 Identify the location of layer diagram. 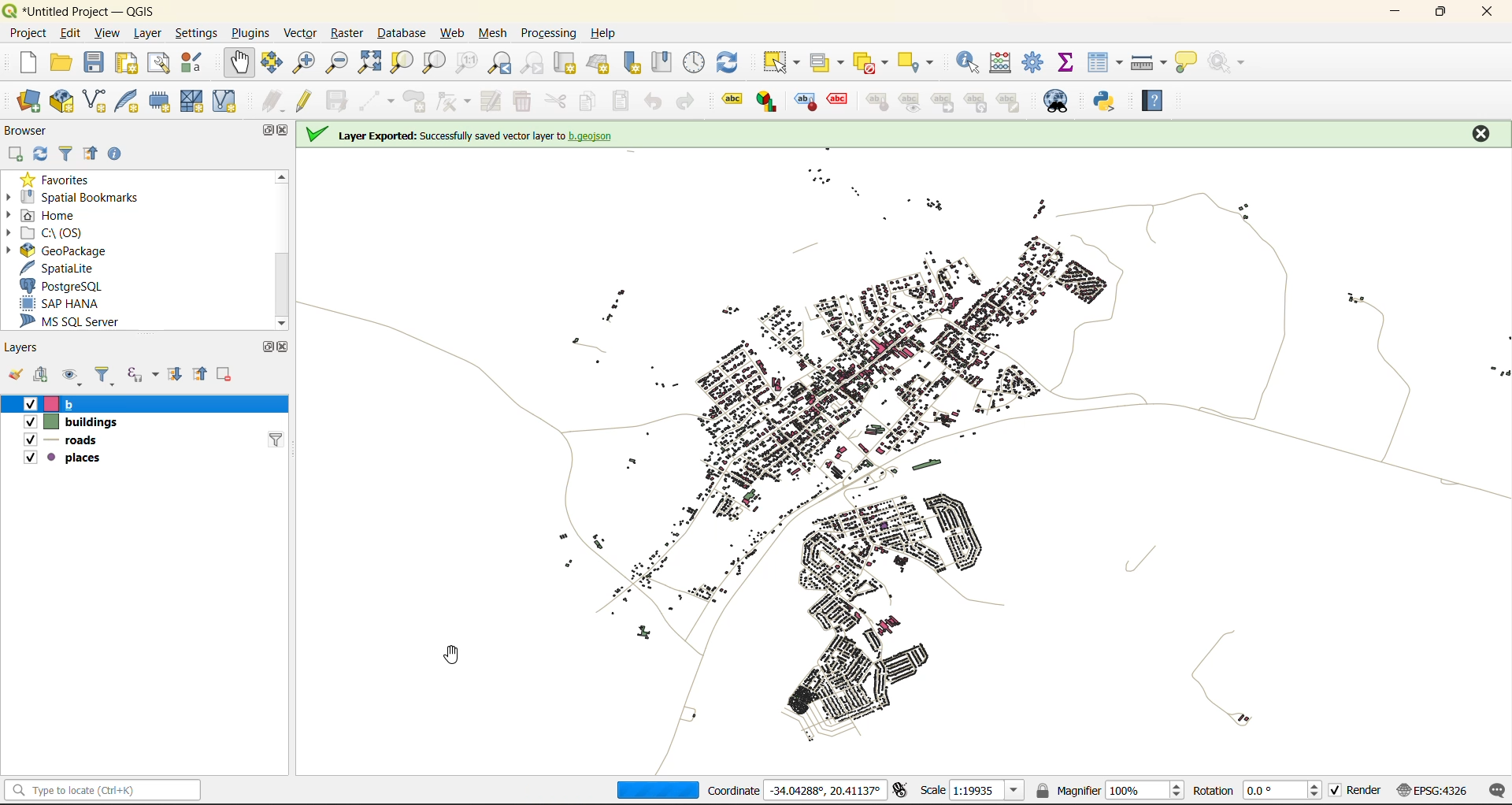
(770, 102).